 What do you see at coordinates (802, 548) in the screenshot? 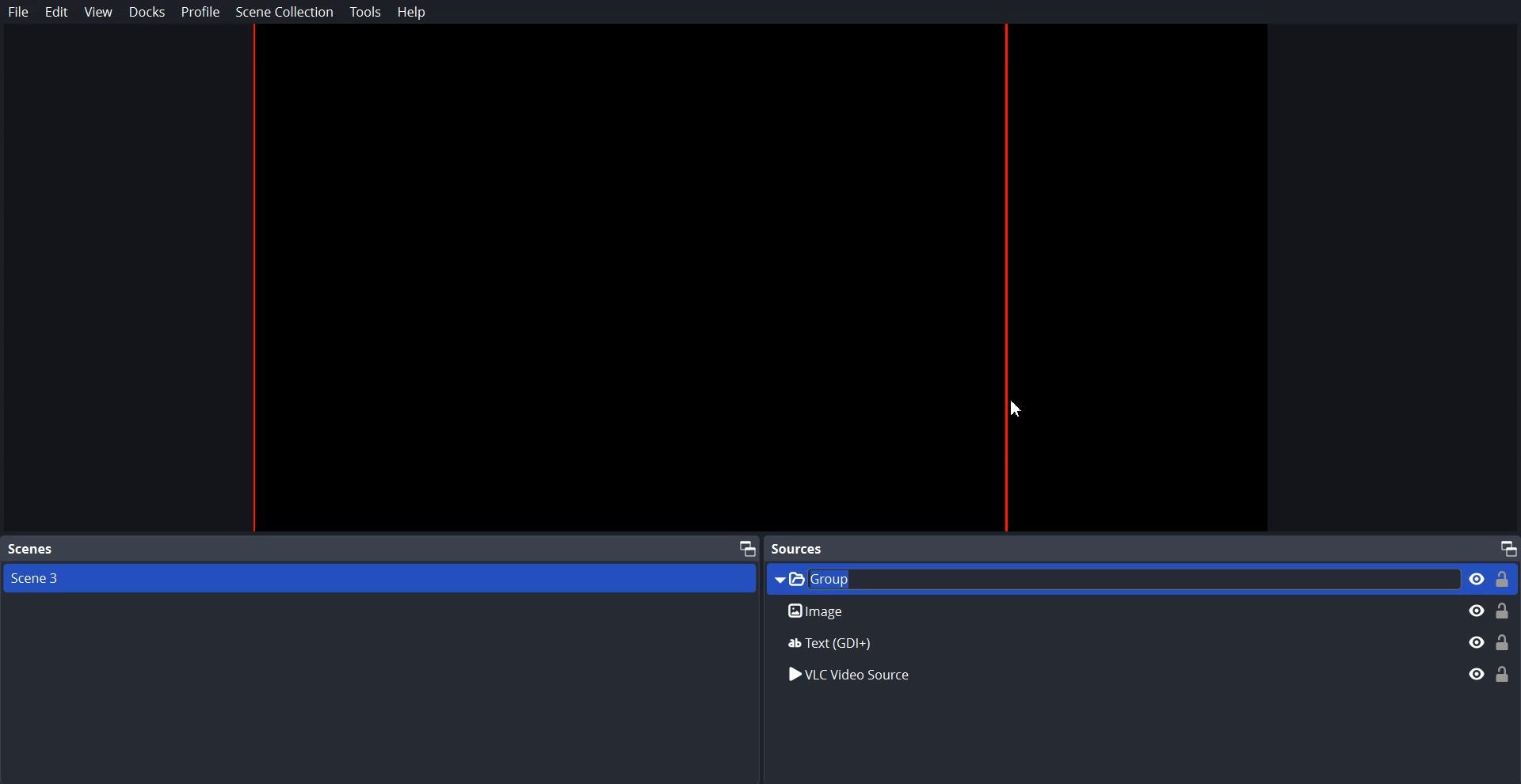
I see `Sources` at bounding box center [802, 548].